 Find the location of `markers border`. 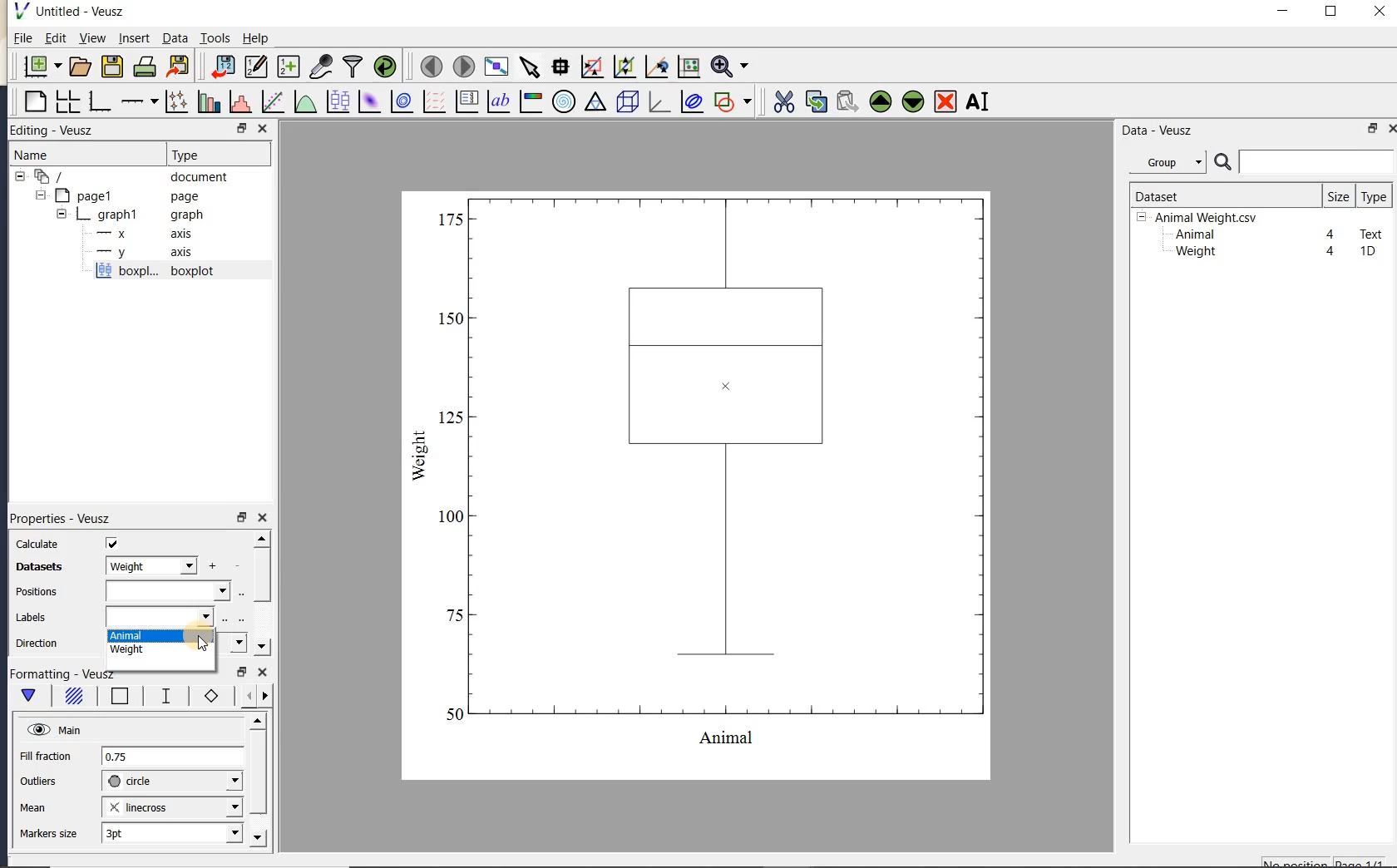

markers border is located at coordinates (208, 696).